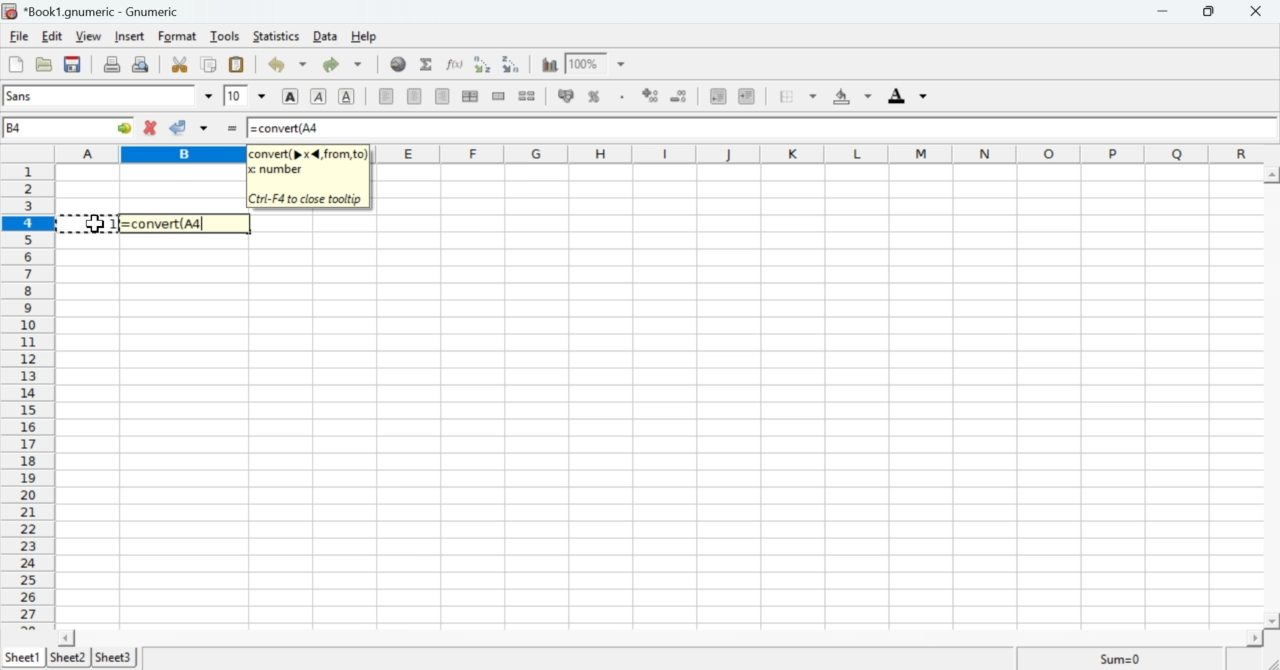  Describe the element at coordinates (648, 97) in the screenshot. I see `Sort by ascending` at that location.